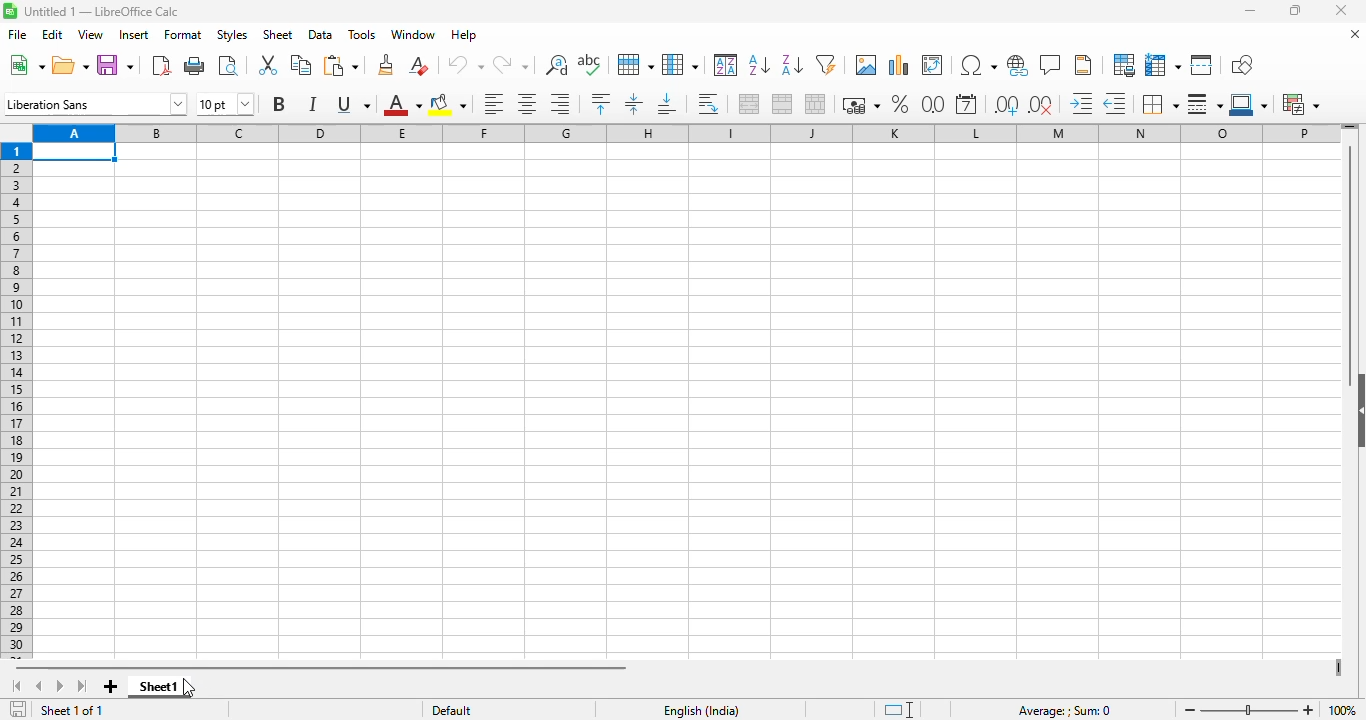  Describe the element at coordinates (1250, 104) in the screenshot. I see `border color` at that location.